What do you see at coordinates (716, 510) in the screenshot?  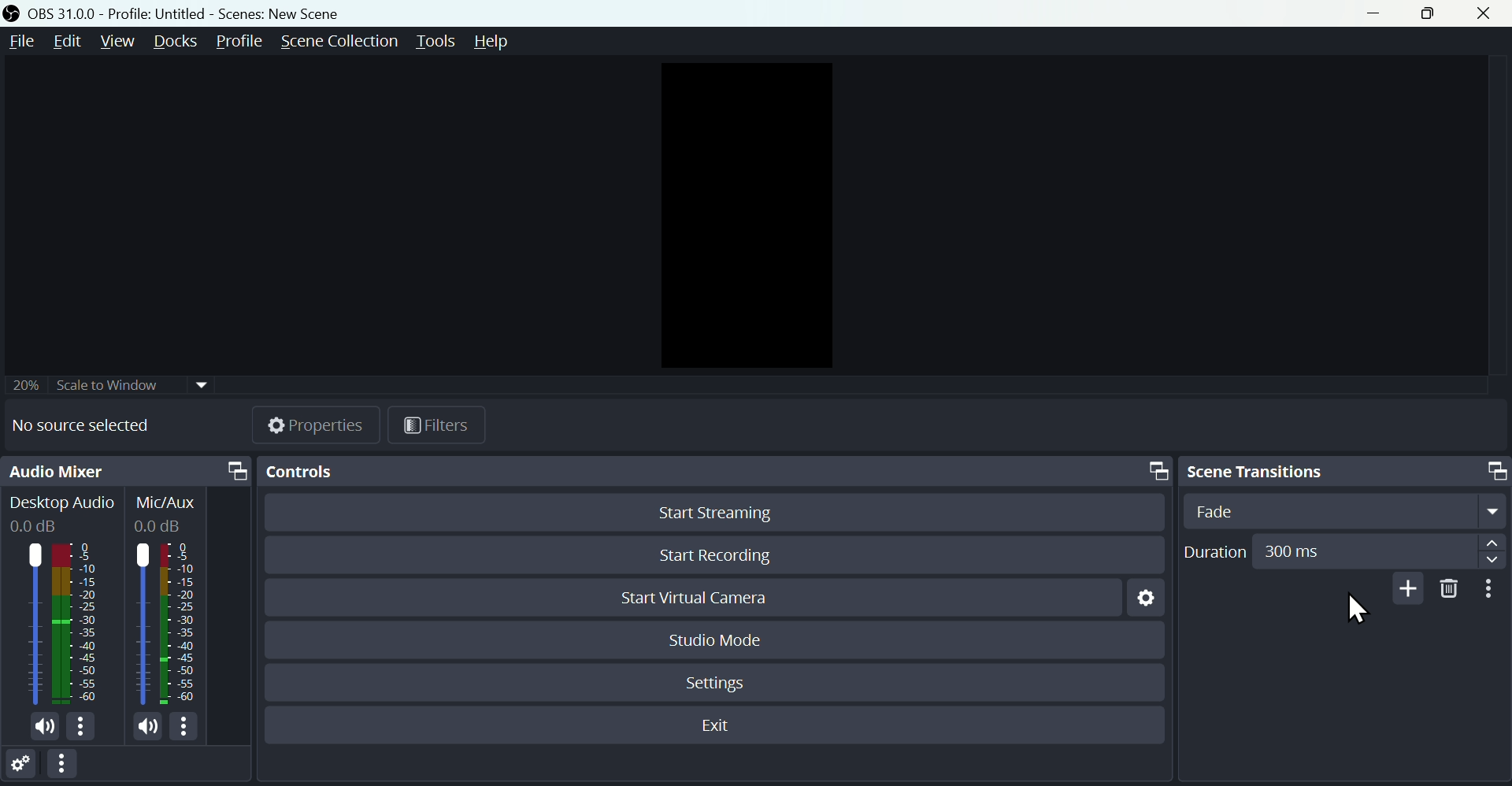 I see `Start Streaming` at bounding box center [716, 510].